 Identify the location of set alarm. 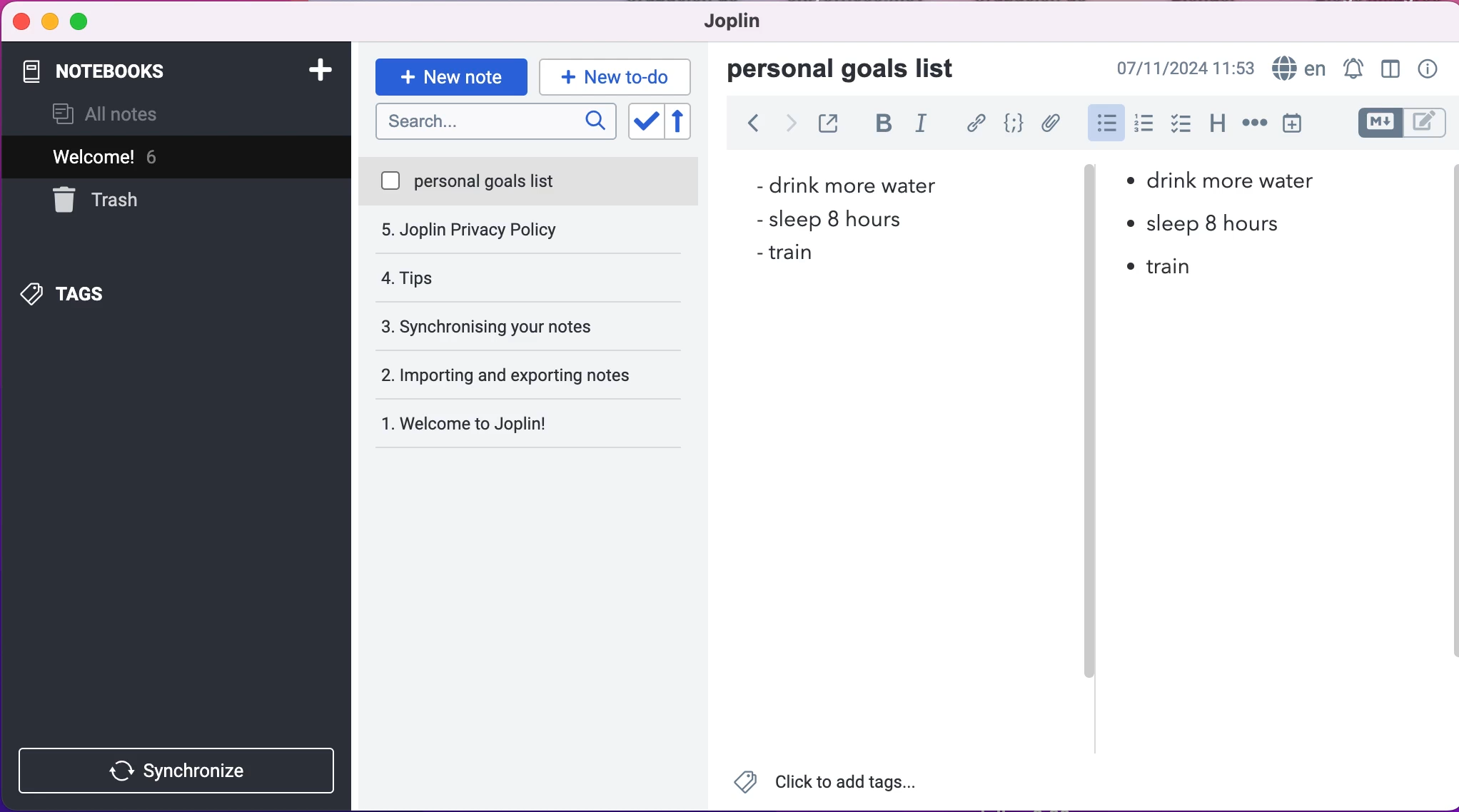
(1351, 66).